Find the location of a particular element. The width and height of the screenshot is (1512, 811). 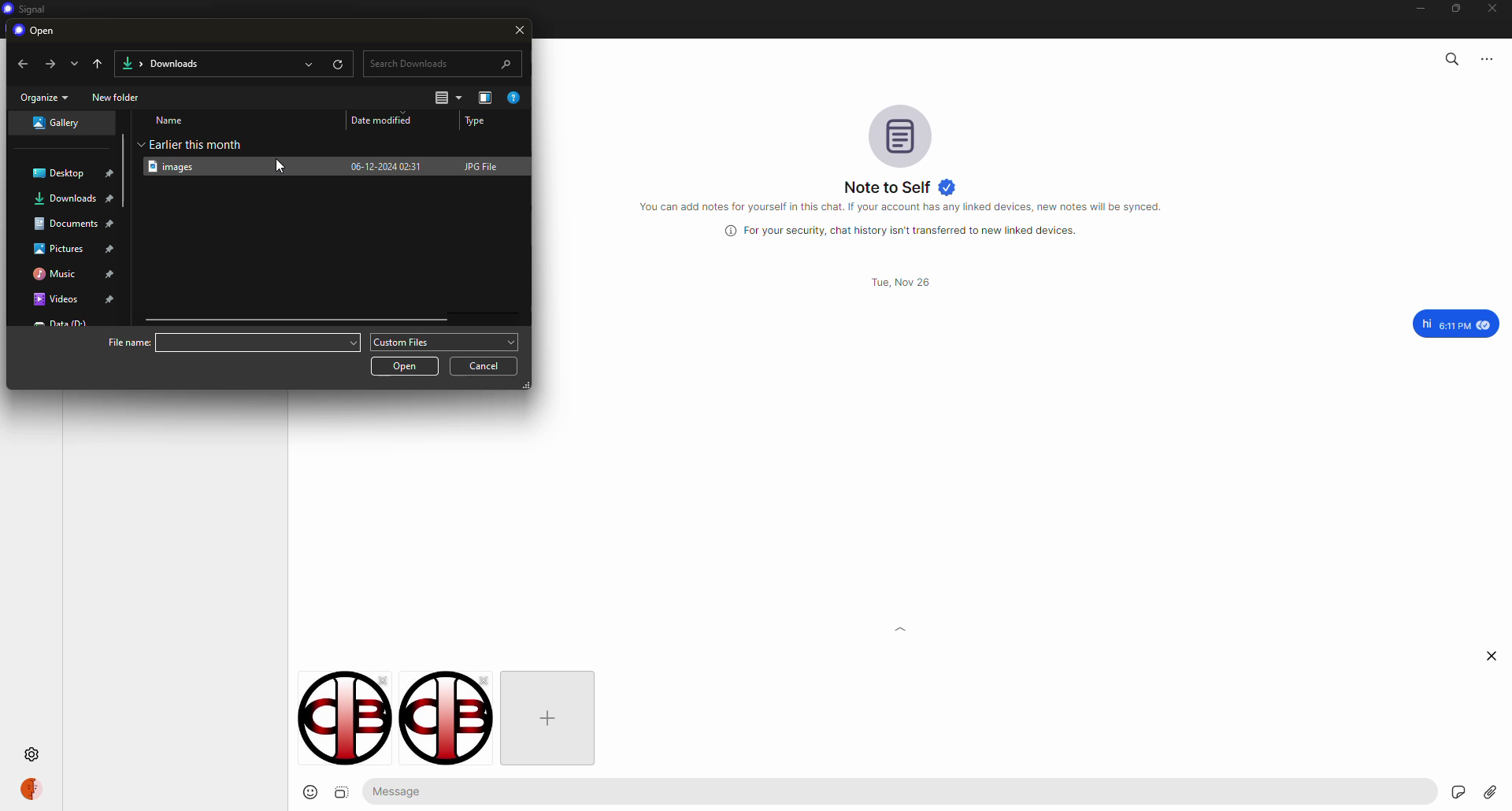

location is located at coordinates (54, 273).